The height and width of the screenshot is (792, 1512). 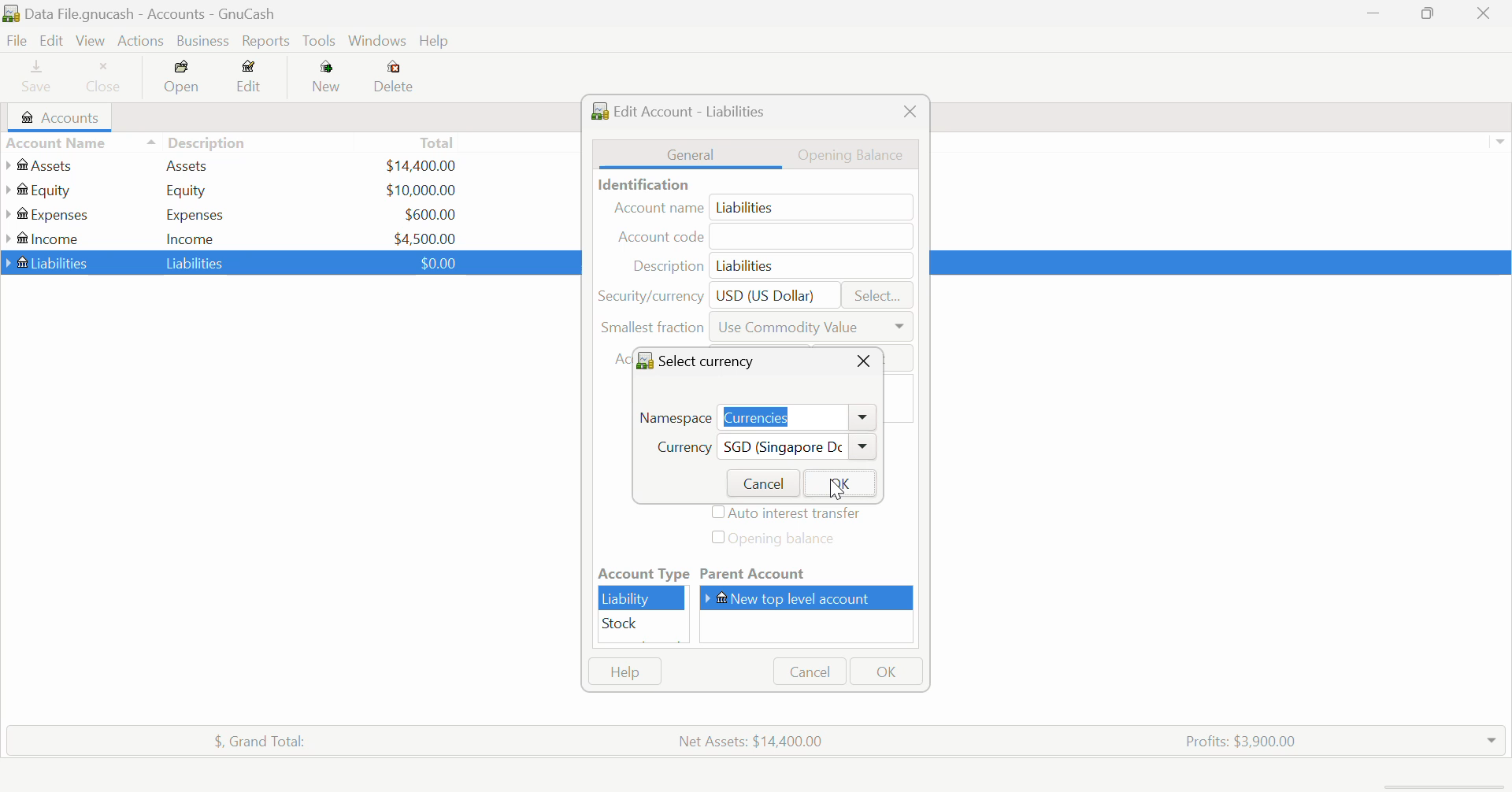 I want to click on OK, so click(x=838, y=483).